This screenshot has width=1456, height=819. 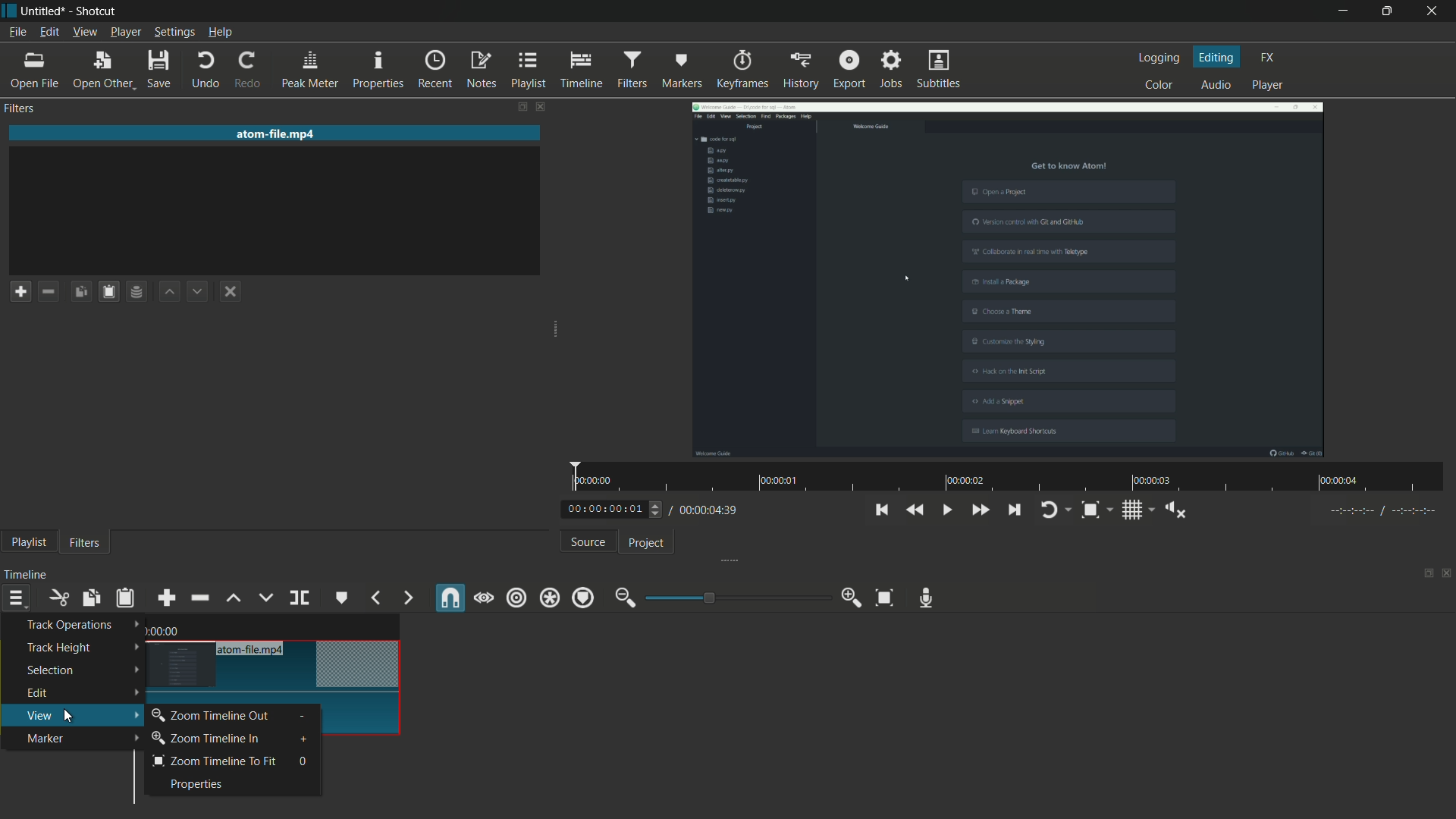 What do you see at coordinates (1267, 85) in the screenshot?
I see `player` at bounding box center [1267, 85].